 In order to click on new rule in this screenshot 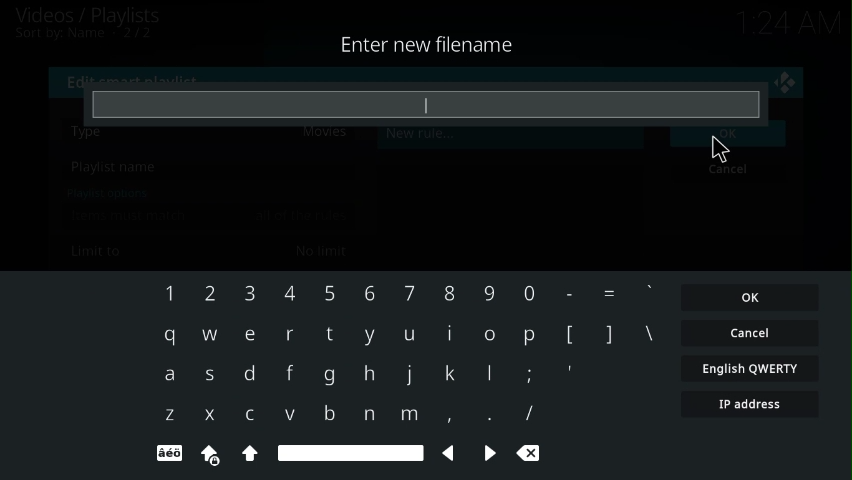, I will do `click(421, 133)`.